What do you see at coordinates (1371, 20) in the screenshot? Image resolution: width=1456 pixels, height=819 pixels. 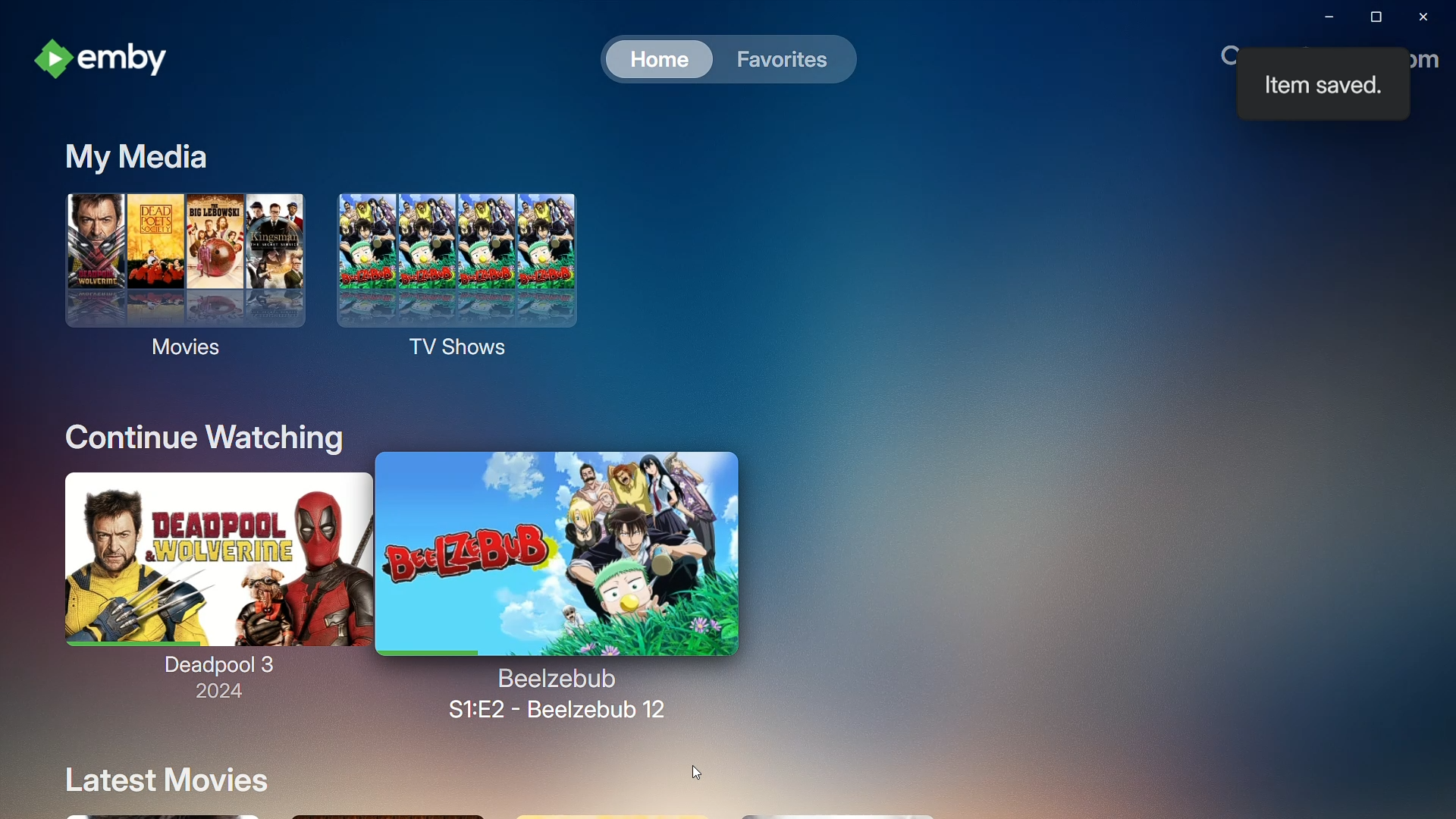 I see `Restore` at bounding box center [1371, 20].